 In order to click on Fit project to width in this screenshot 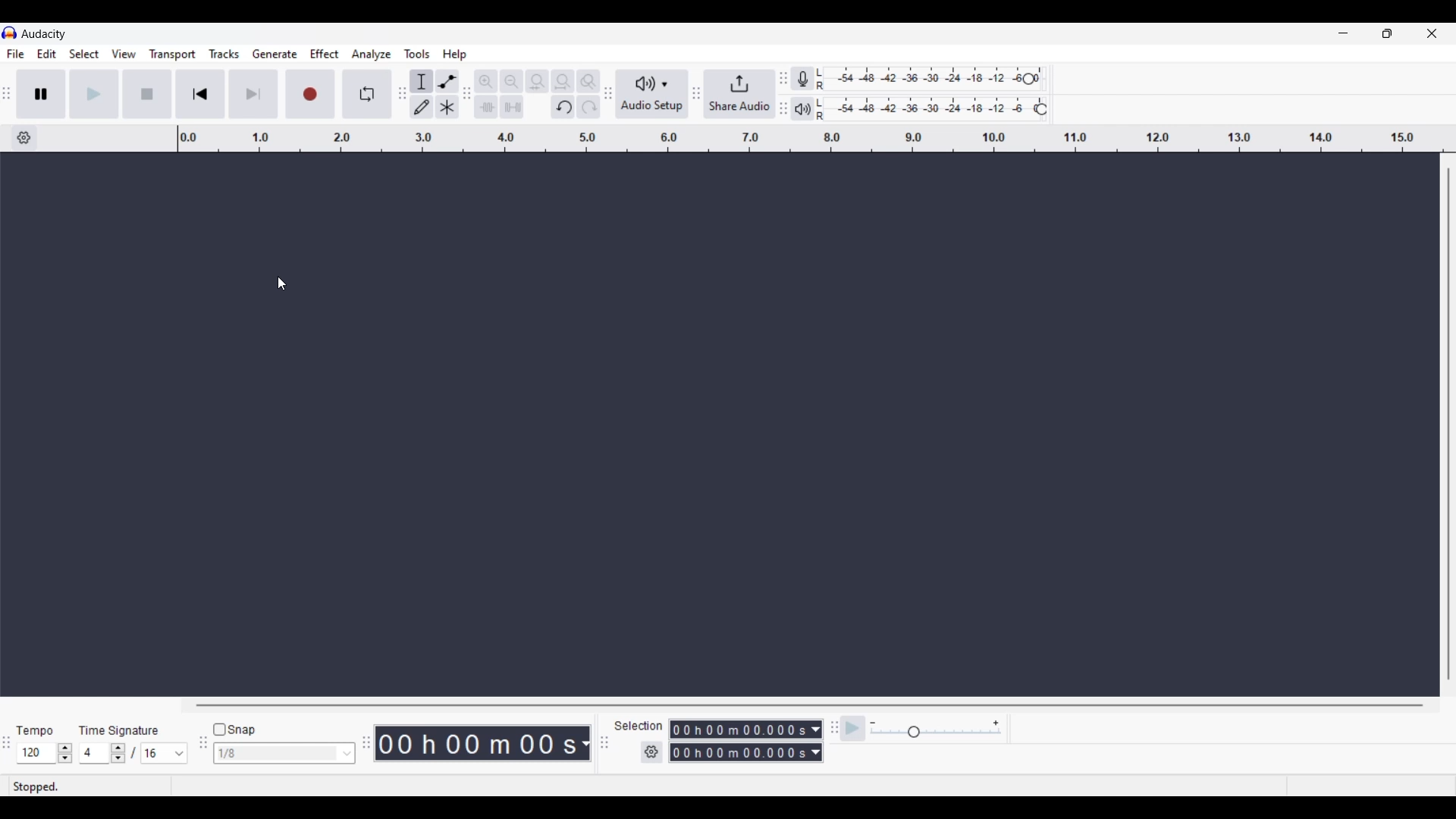, I will do `click(563, 81)`.